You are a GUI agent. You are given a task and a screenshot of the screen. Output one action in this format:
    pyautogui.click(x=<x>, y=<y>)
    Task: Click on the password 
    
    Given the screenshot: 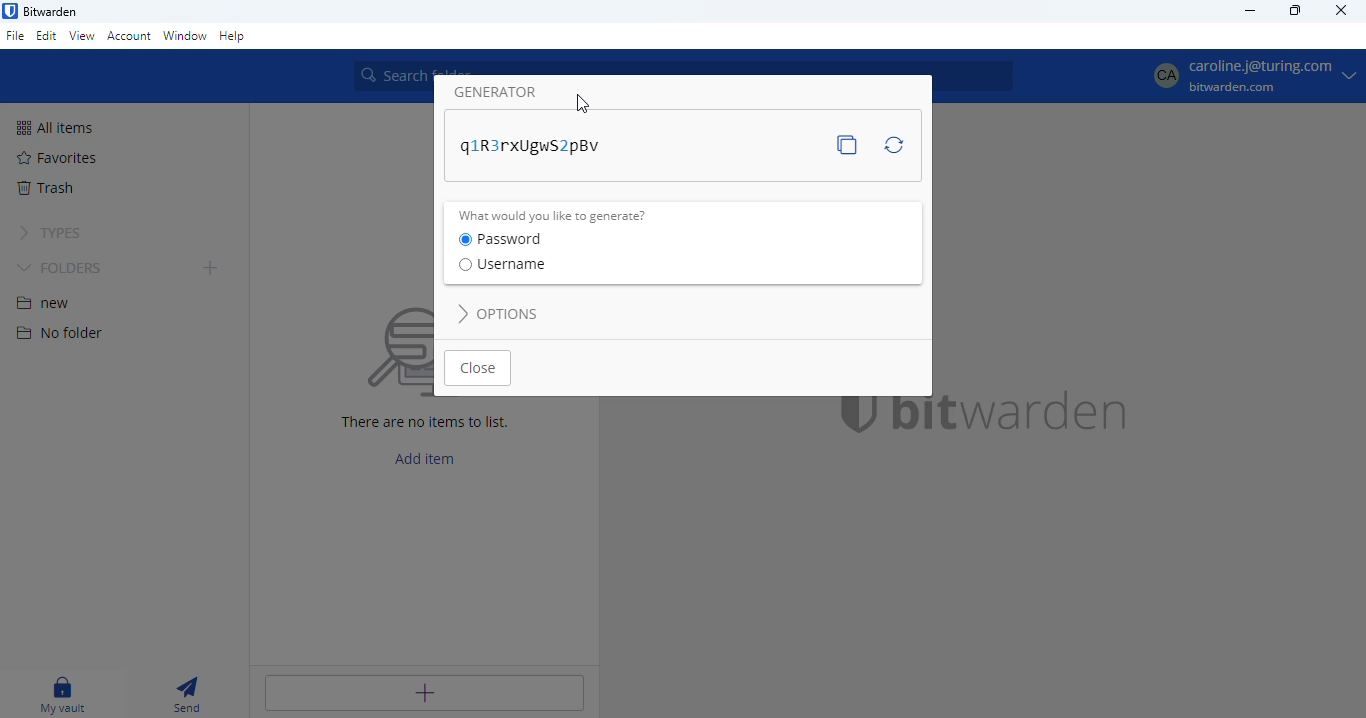 What is the action you would take?
    pyautogui.click(x=500, y=240)
    